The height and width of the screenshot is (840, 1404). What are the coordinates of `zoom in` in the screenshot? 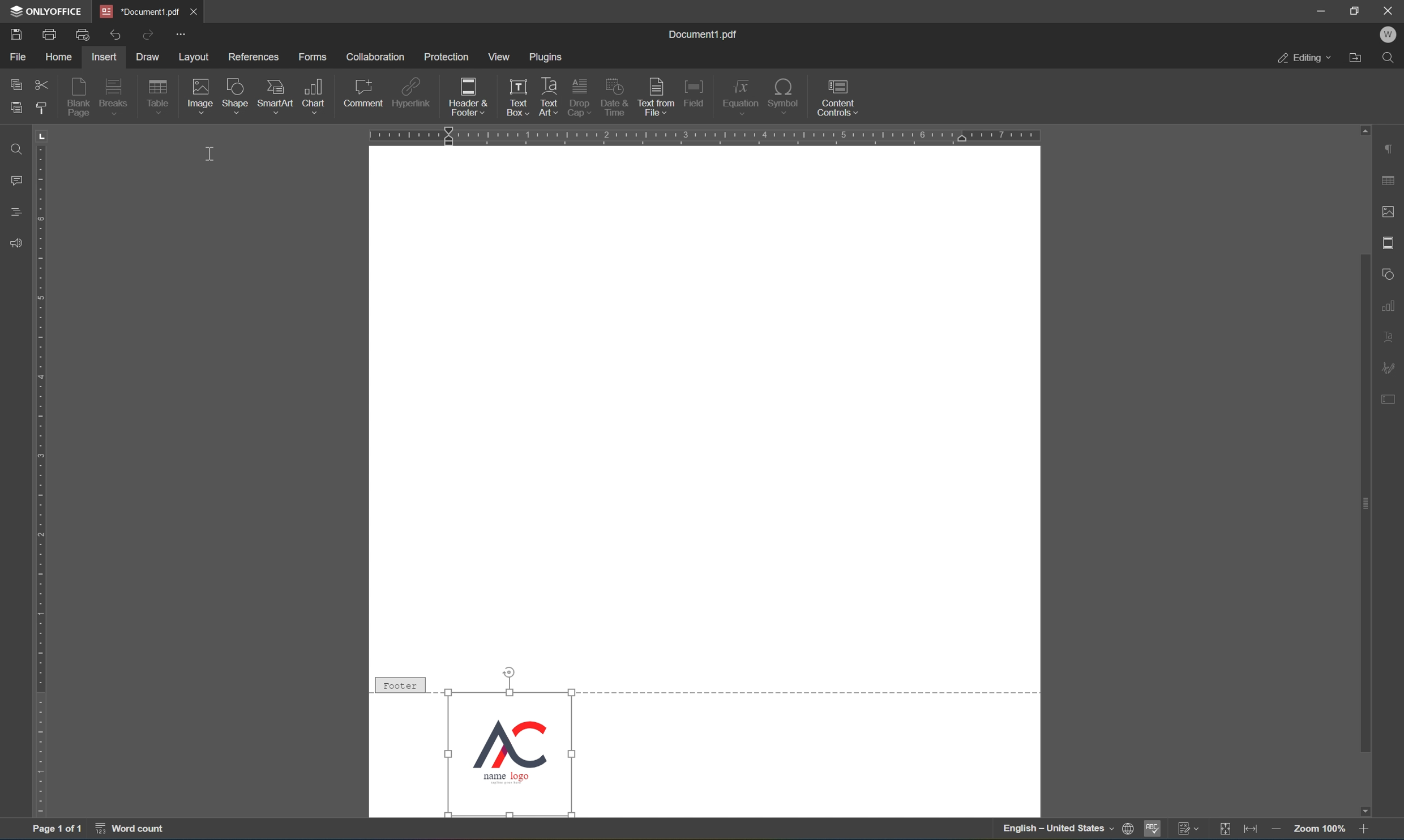 It's located at (1367, 830).